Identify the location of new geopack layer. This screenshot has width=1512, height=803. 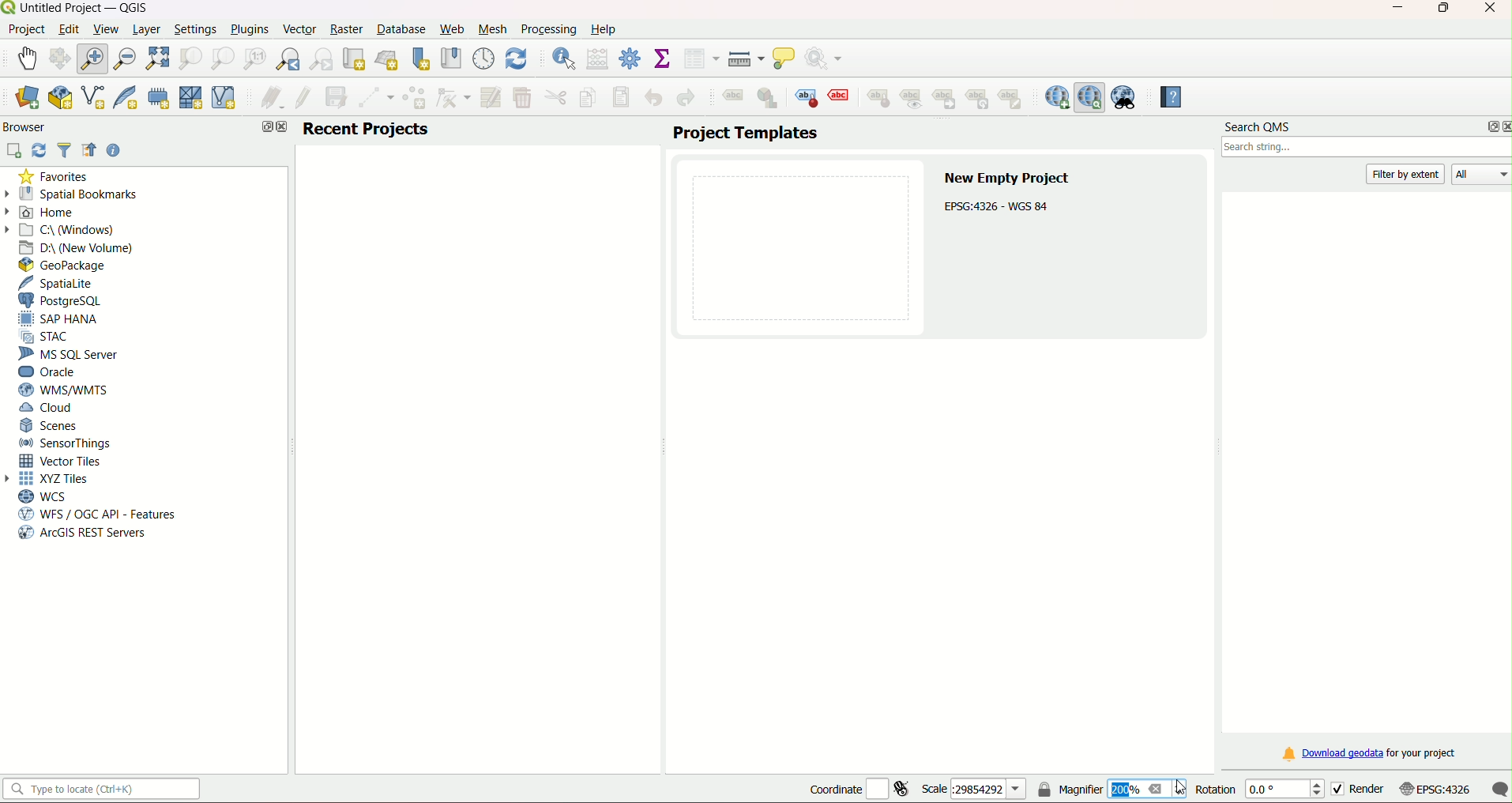
(58, 98).